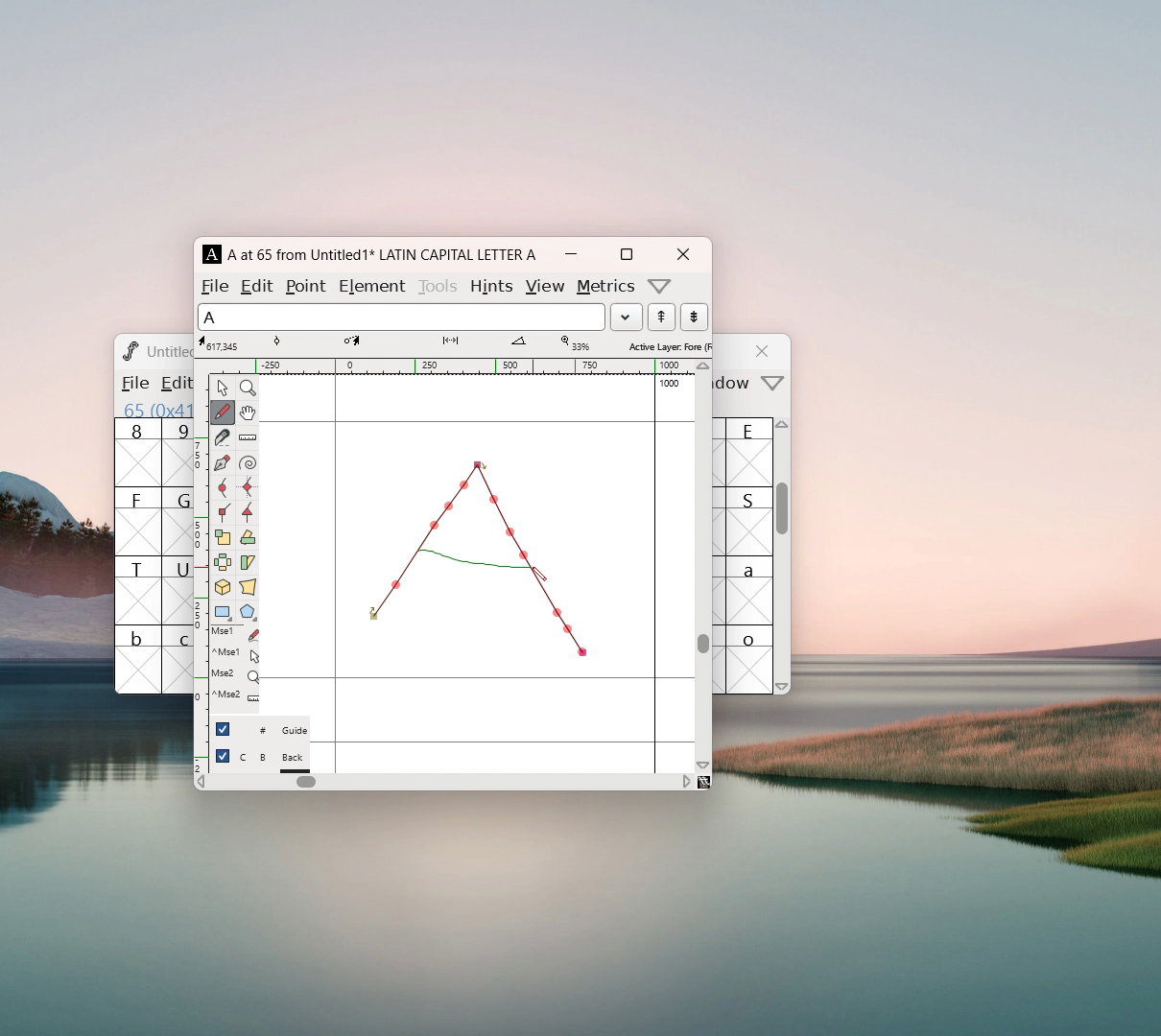  Describe the element at coordinates (129, 350) in the screenshot. I see `logo` at that location.